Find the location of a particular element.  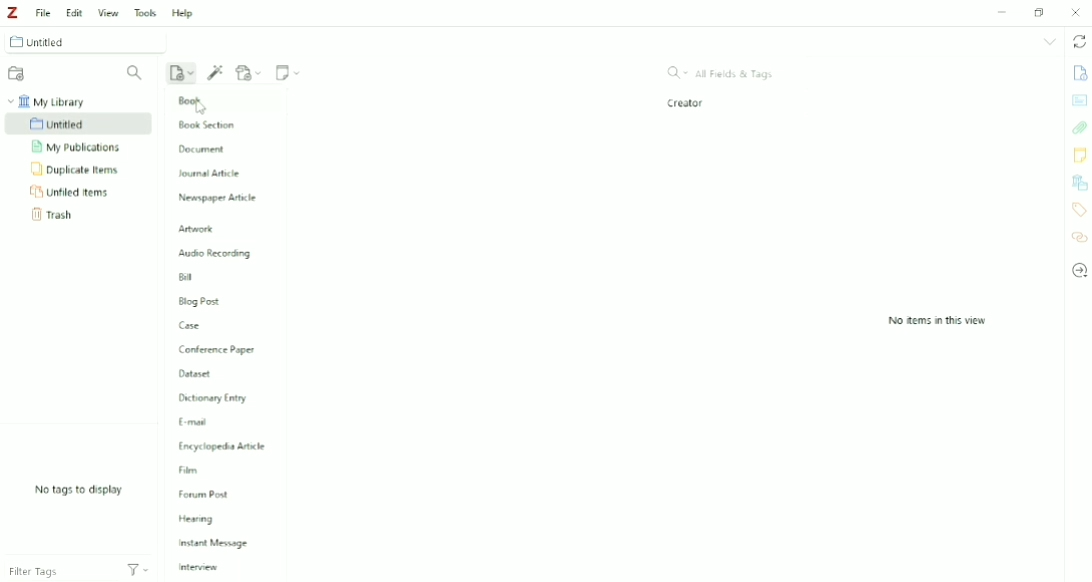

Case is located at coordinates (191, 326).